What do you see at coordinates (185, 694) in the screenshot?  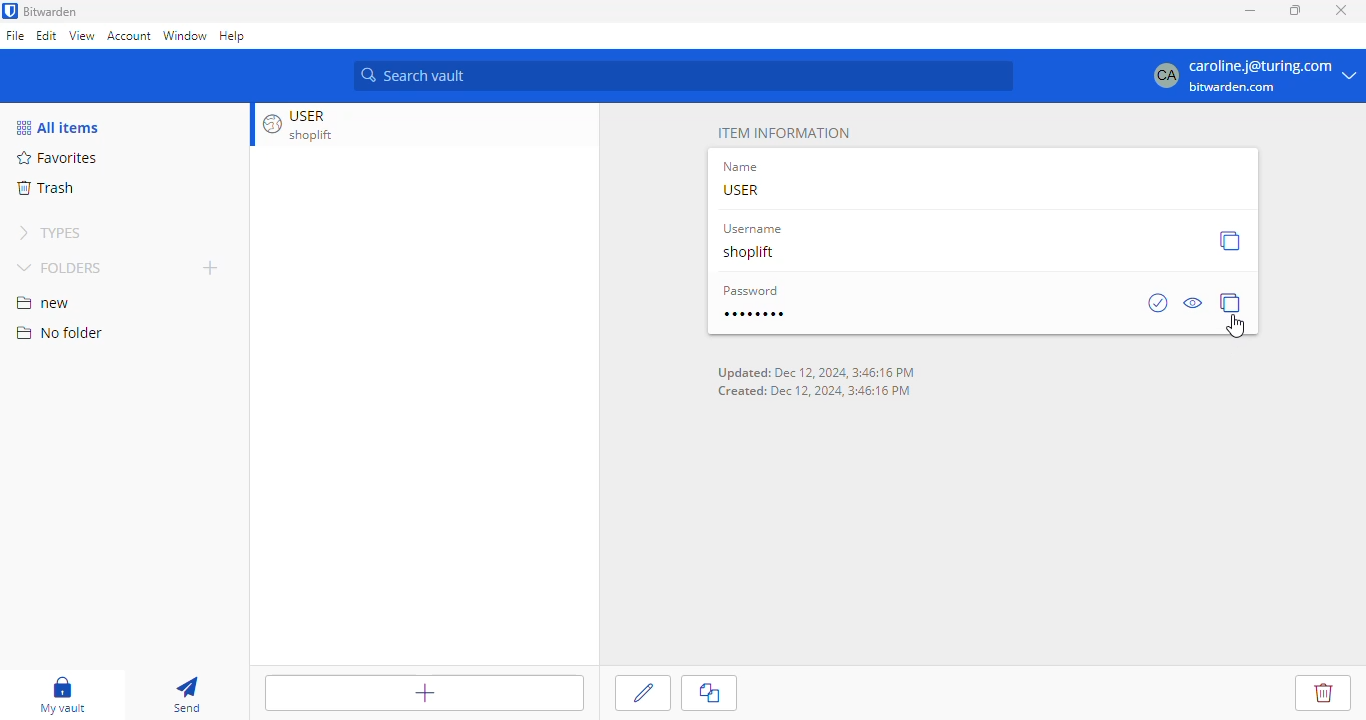 I see `send` at bounding box center [185, 694].